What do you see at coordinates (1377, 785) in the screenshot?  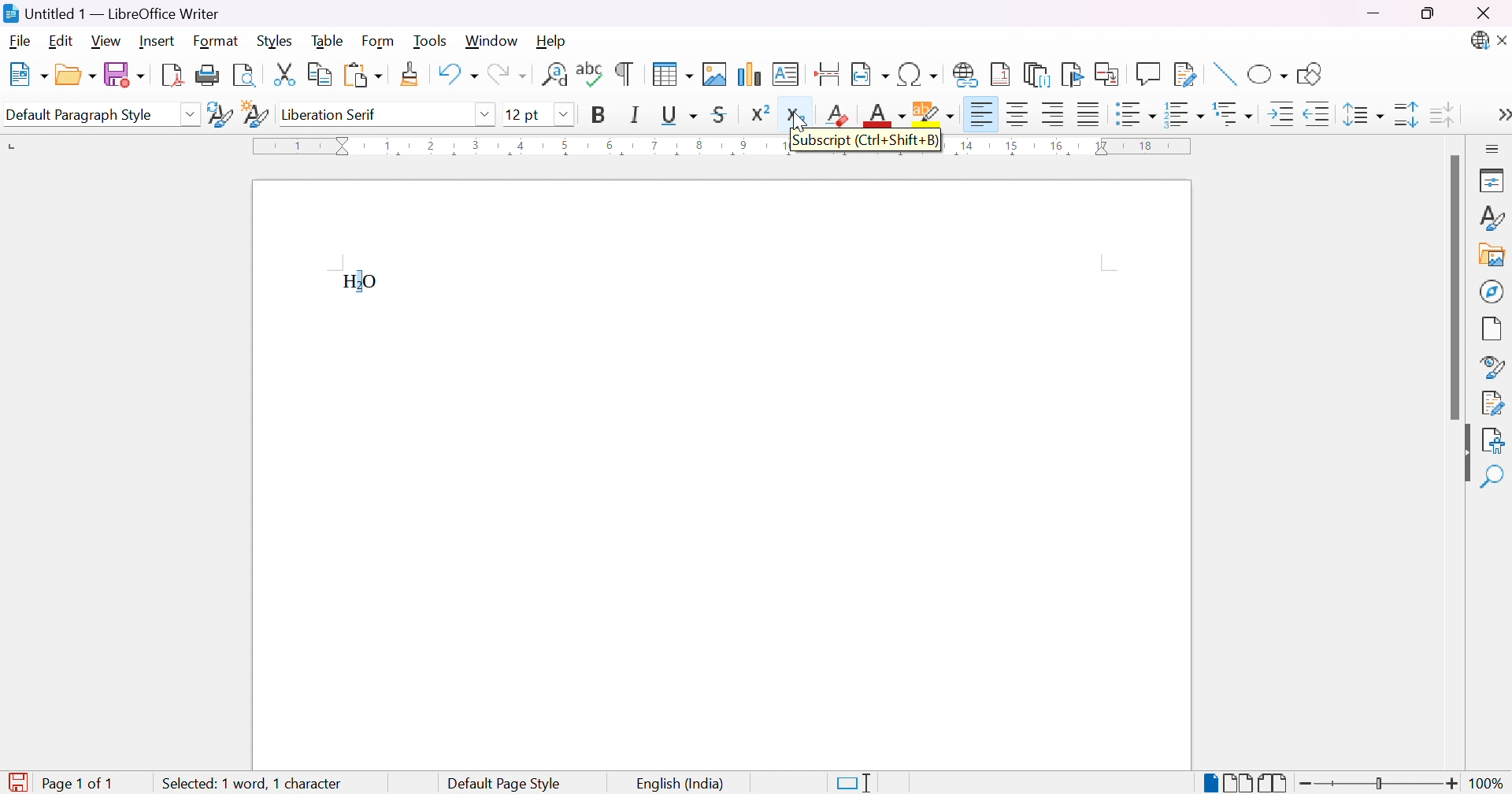 I see `Slider` at bounding box center [1377, 785].